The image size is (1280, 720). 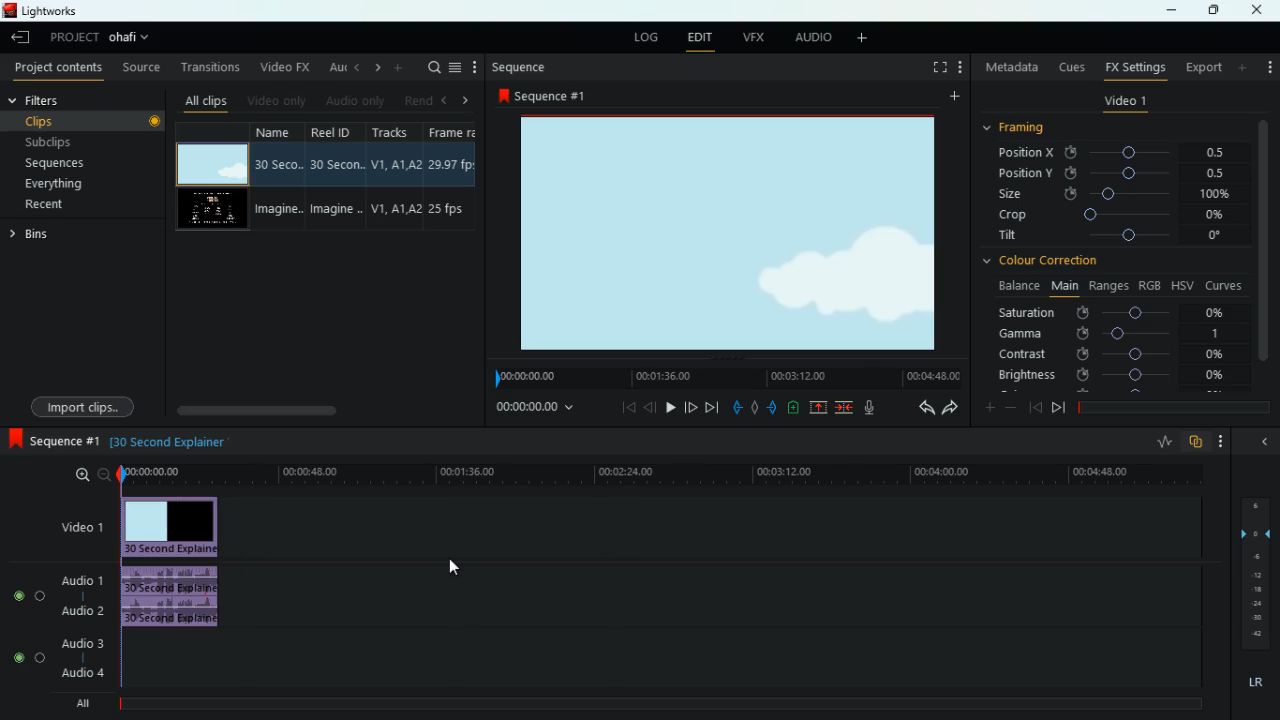 What do you see at coordinates (1110, 374) in the screenshot?
I see `brightness` at bounding box center [1110, 374].